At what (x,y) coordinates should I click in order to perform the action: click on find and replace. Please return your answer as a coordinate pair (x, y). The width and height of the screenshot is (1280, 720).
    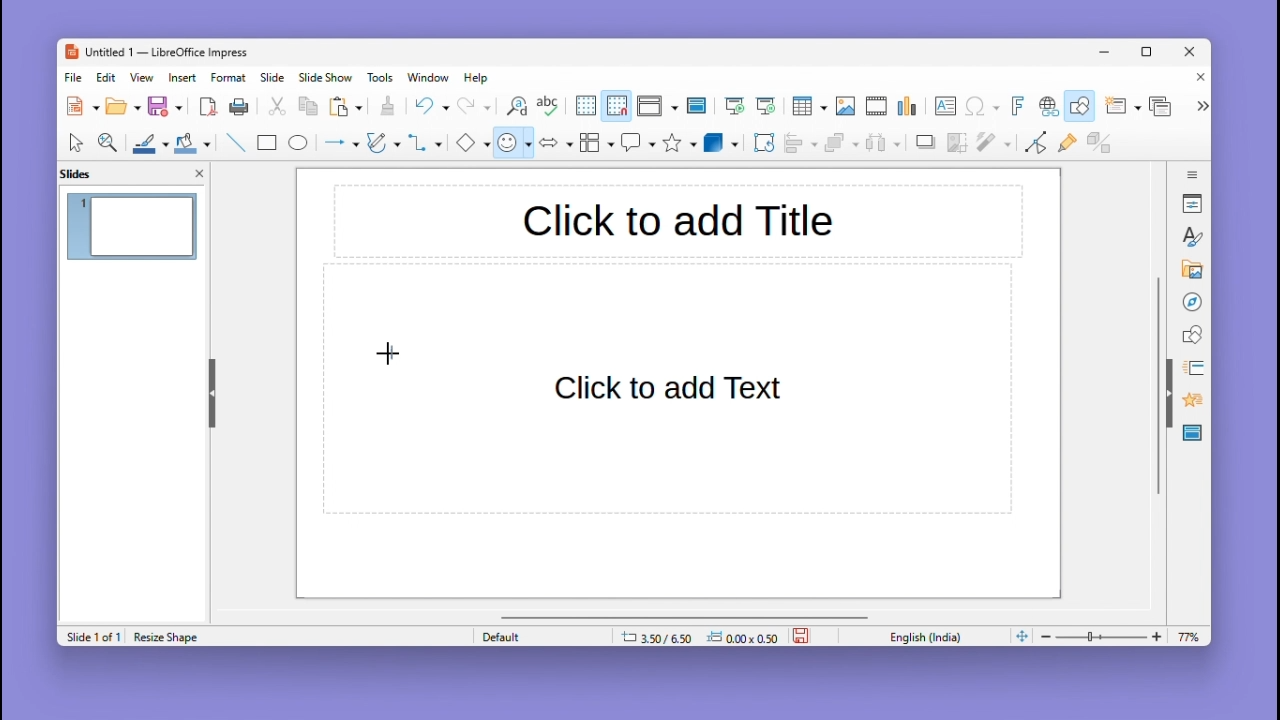
    Looking at the image, I should click on (515, 106).